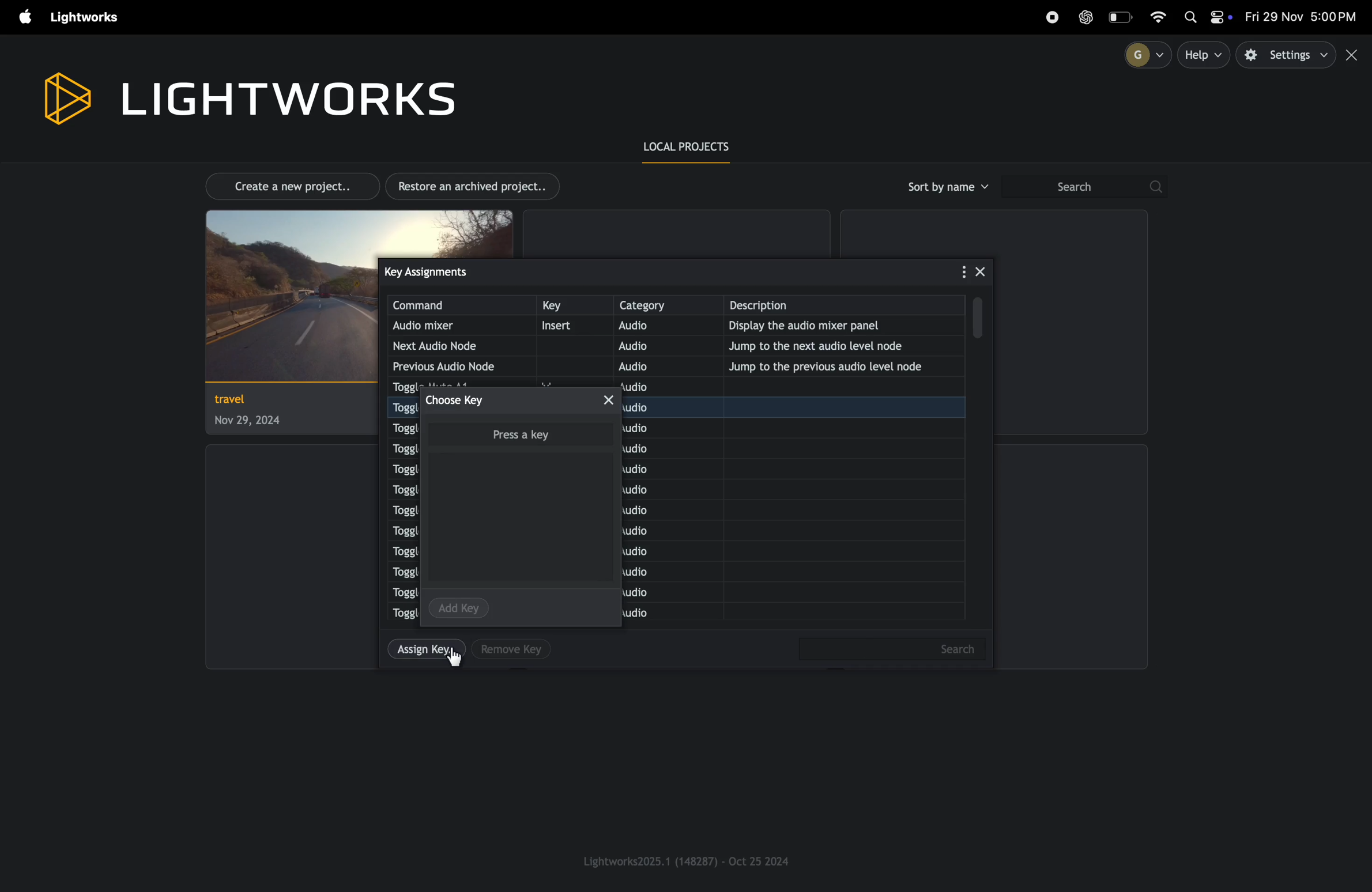 The image size is (1372, 892). What do you see at coordinates (656, 327) in the screenshot?
I see `audio` at bounding box center [656, 327].